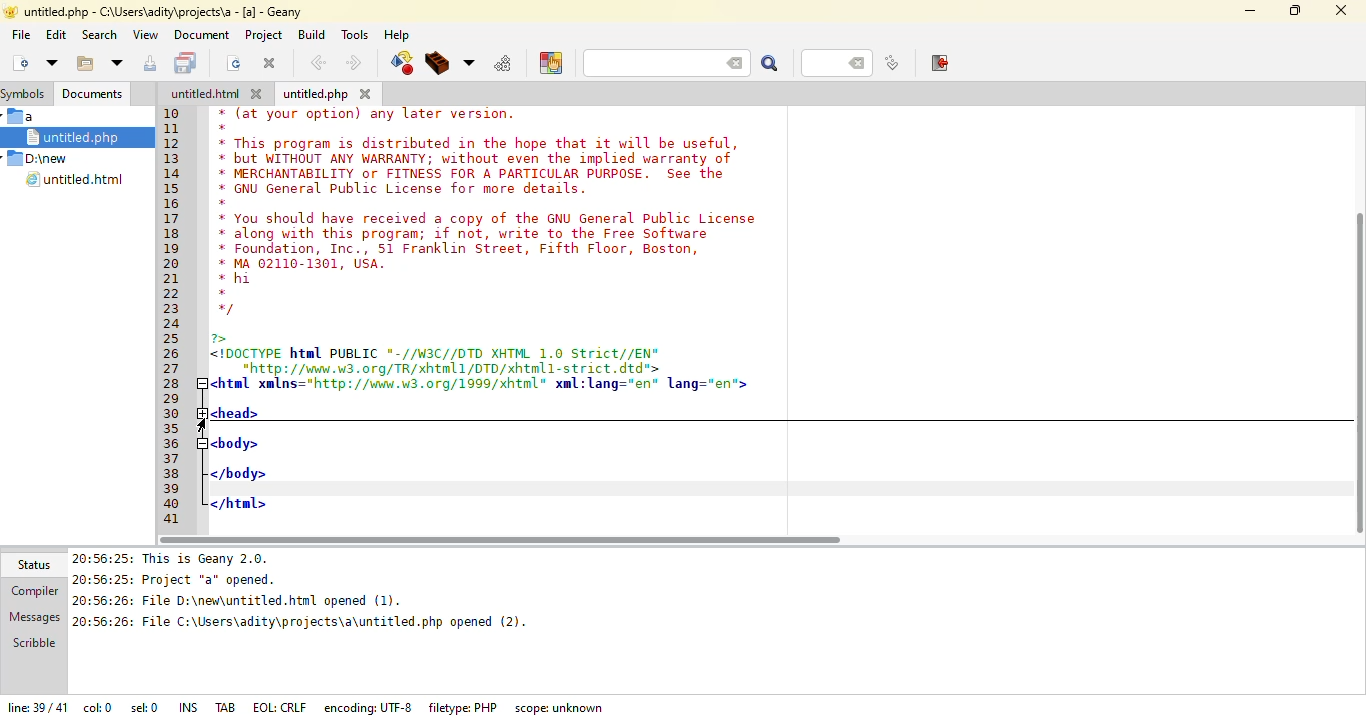 The image size is (1366, 720). Describe the element at coordinates (150, 63) in the screenshot. I see `save` at that location.